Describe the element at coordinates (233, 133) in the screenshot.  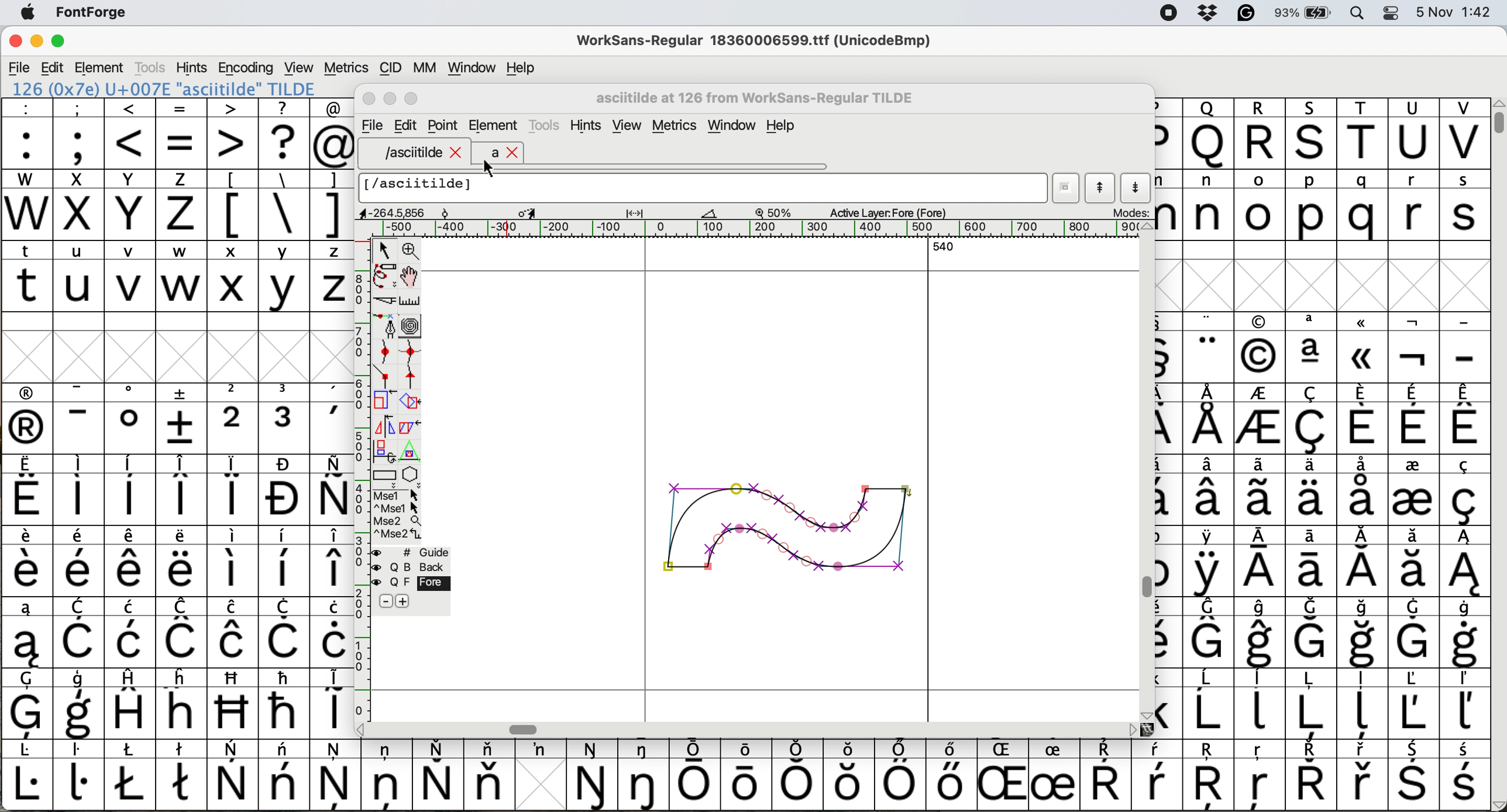
I see `>` at that location.